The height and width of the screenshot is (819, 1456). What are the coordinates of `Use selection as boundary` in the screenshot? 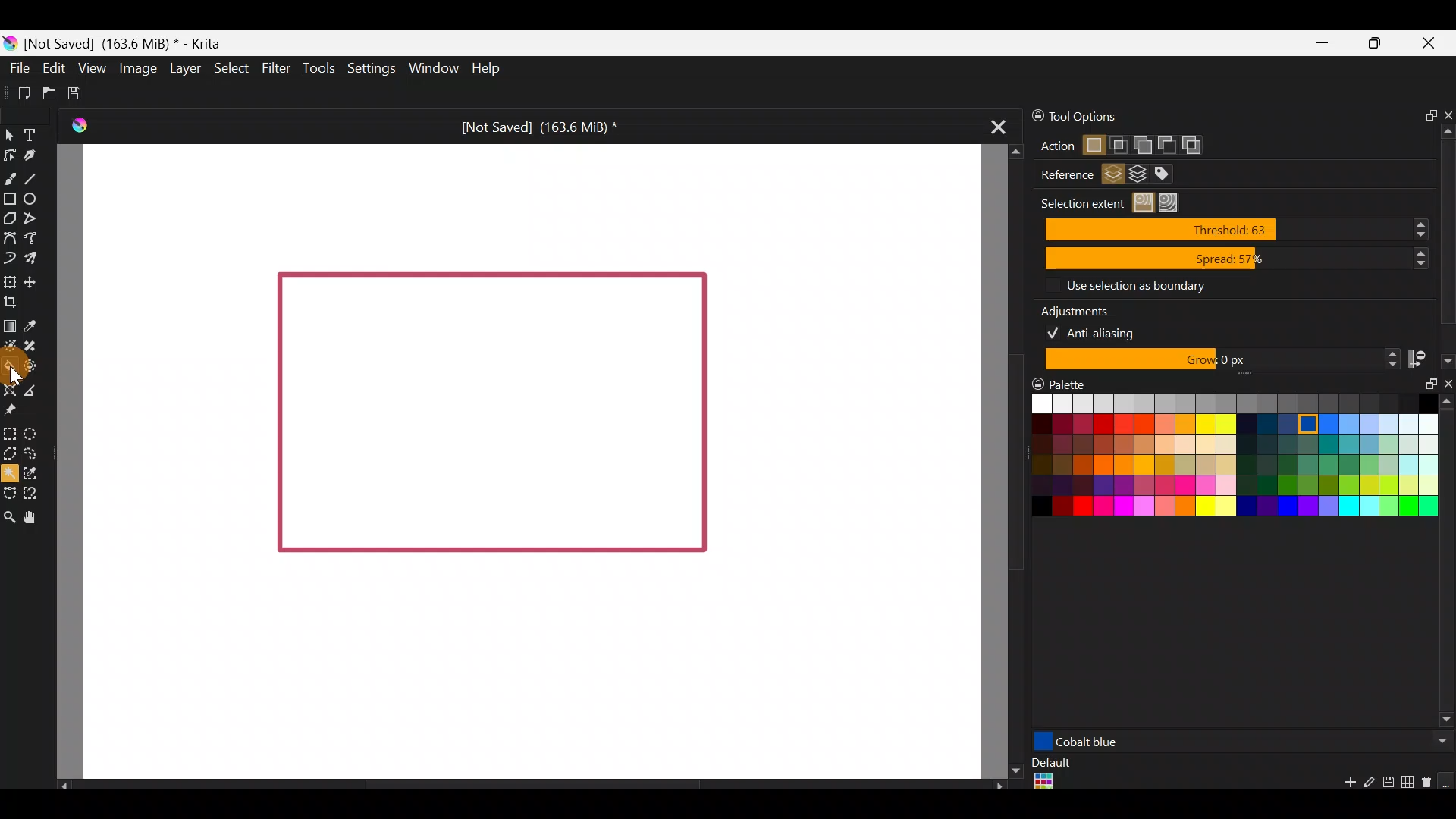 It's located at (1134, 284).